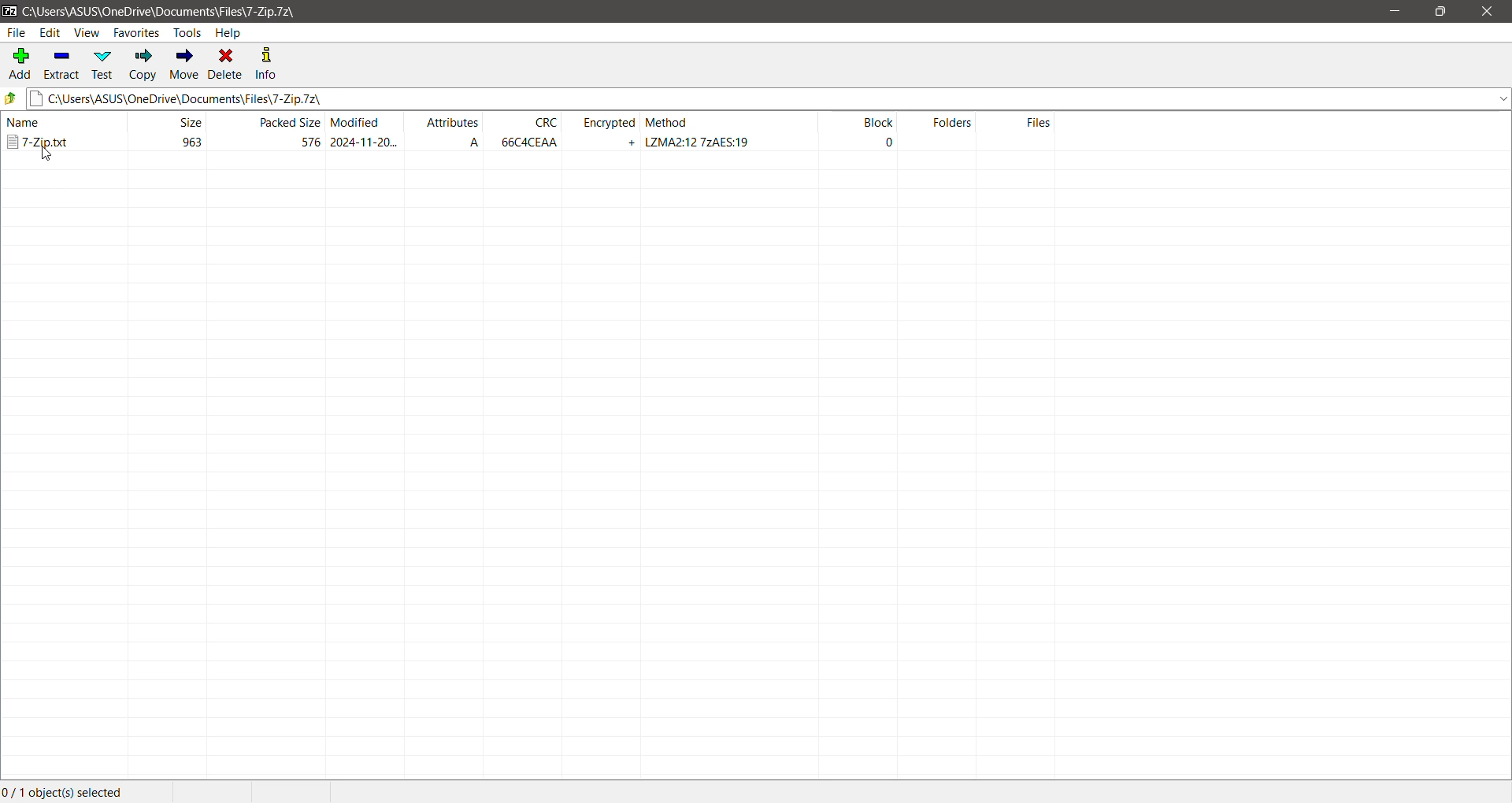 The image size is (1512, 803). Describe the element at coordinates (184, 62) in the screenshot. I see `Move` at that location.